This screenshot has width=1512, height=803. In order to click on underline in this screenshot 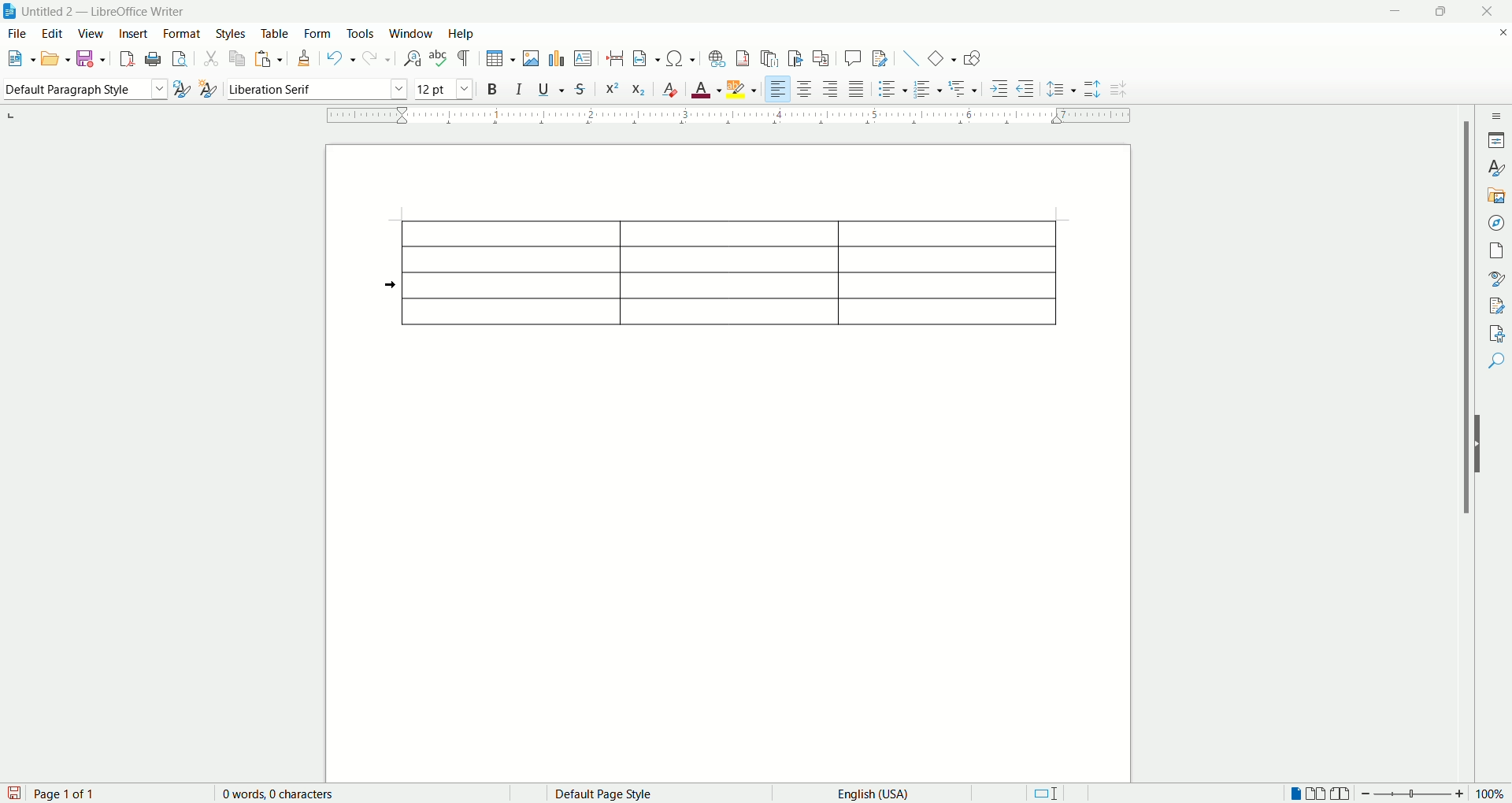, I will do `click(547, 90)`.